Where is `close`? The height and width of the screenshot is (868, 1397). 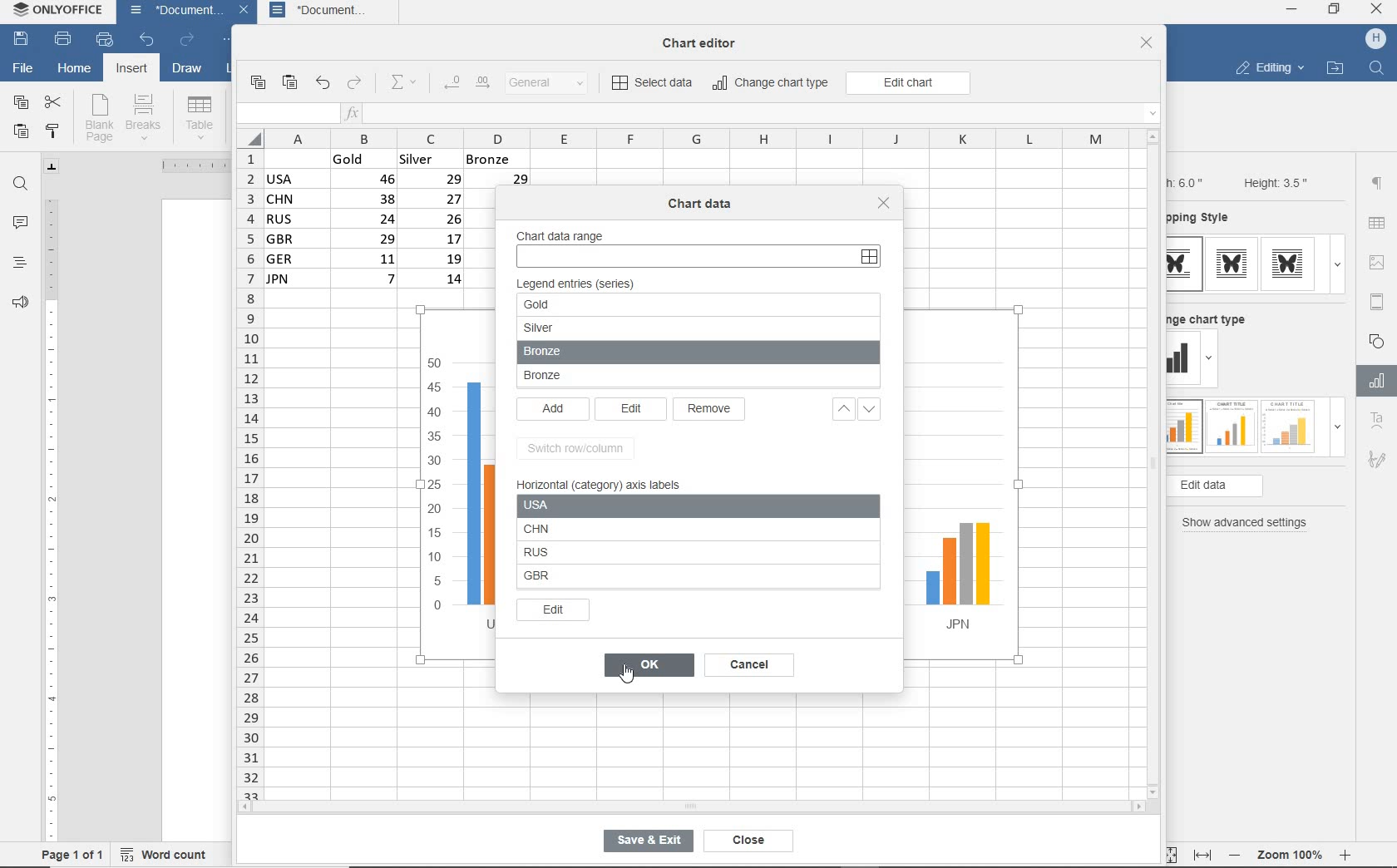 close is located at coordinates (1147, 44).